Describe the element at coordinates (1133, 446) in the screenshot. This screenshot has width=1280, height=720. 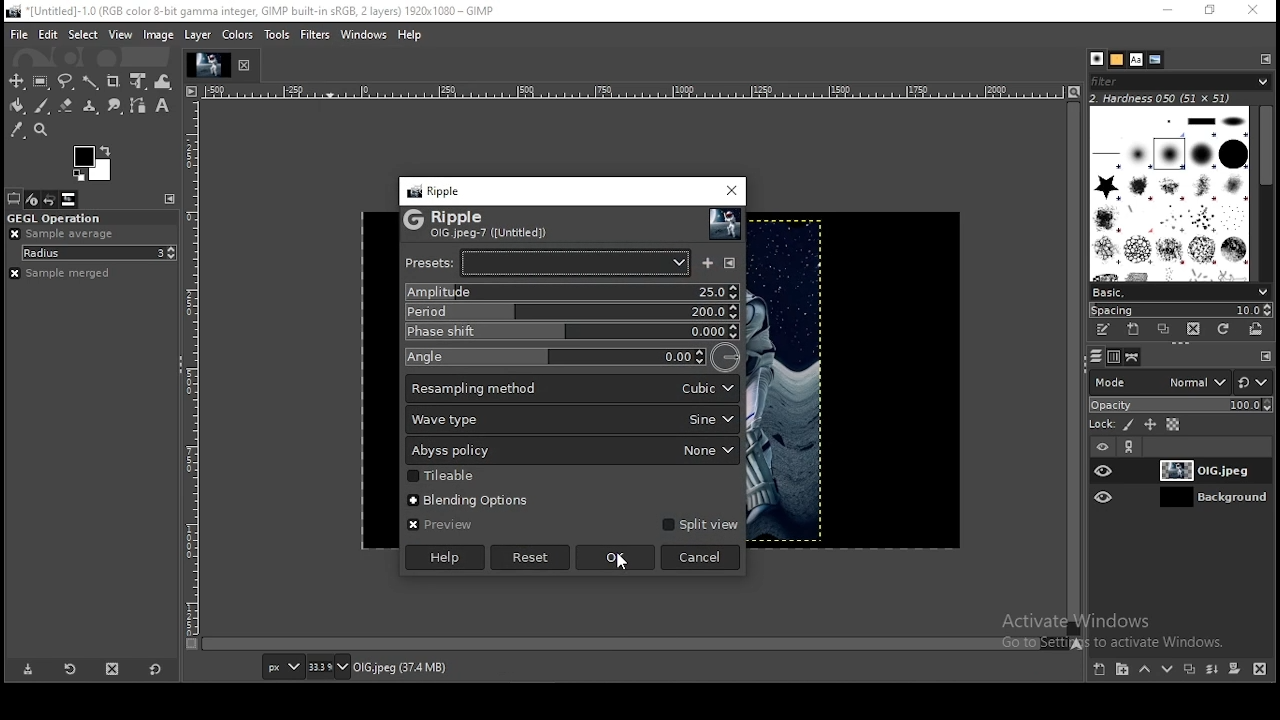
I see `link` at that location.